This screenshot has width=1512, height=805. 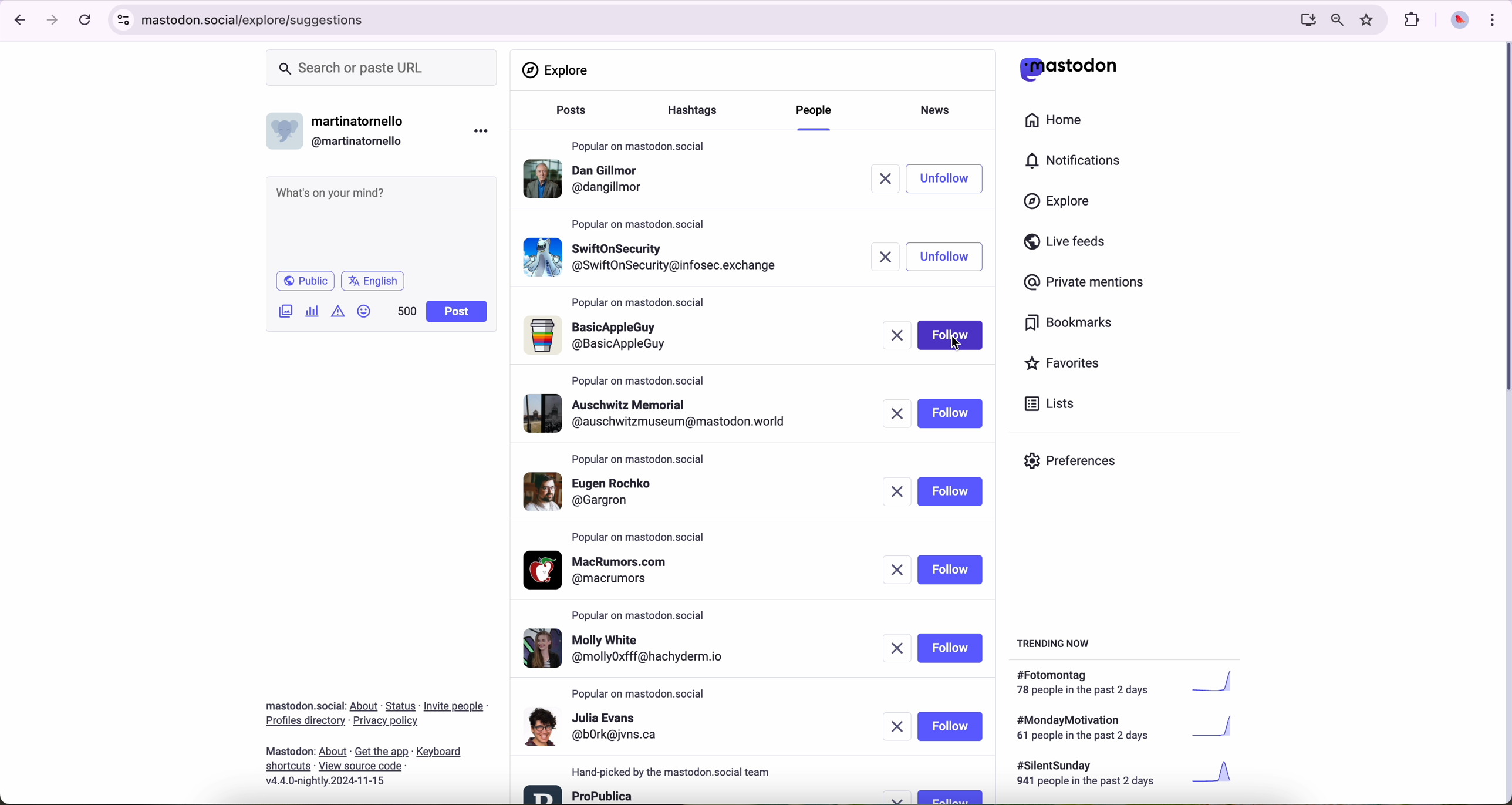 I want to click on what's on your mind?, so click(x=380, y=221).